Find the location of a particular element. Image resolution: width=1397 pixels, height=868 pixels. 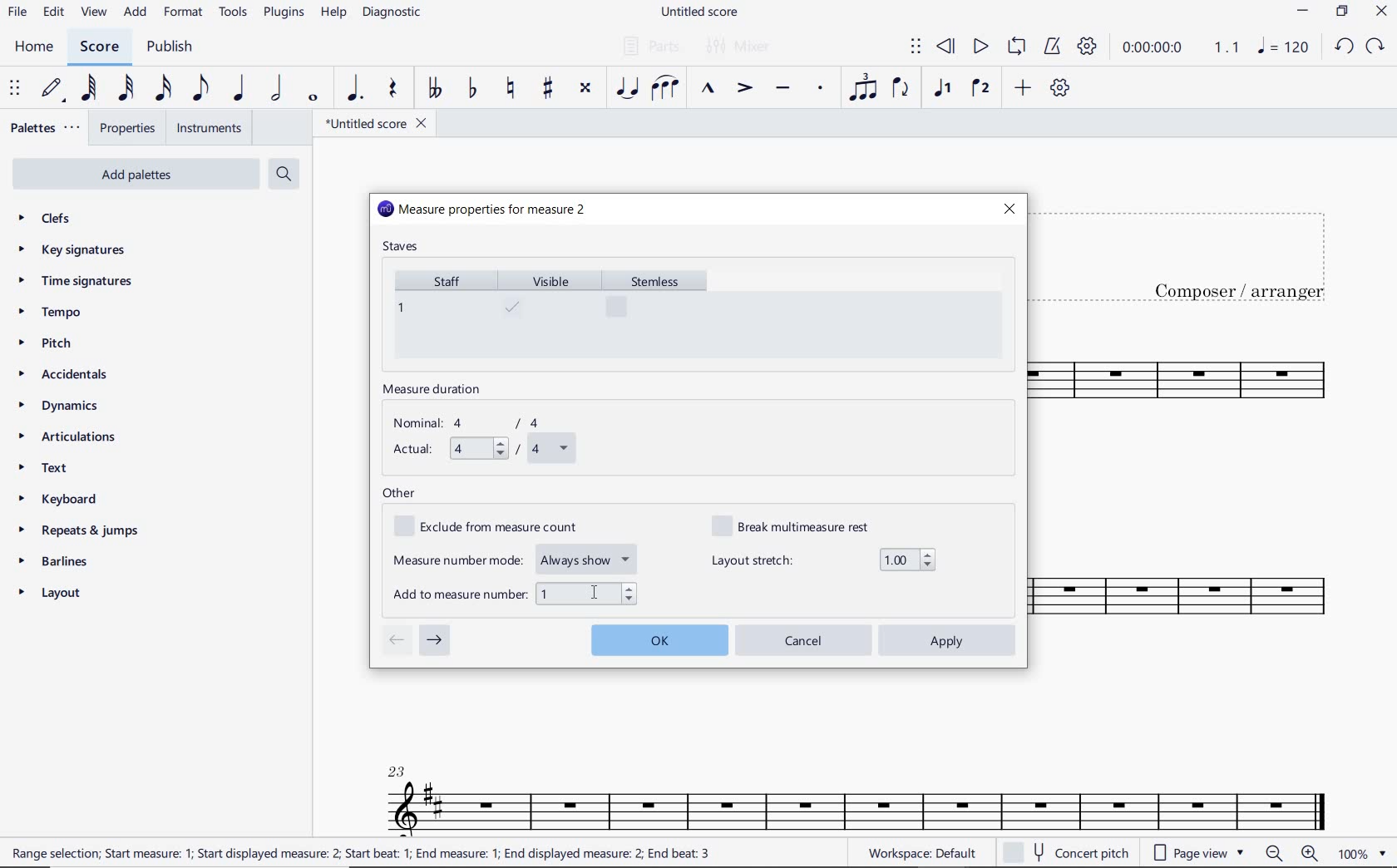

staves is located at coordinates (402, 248).